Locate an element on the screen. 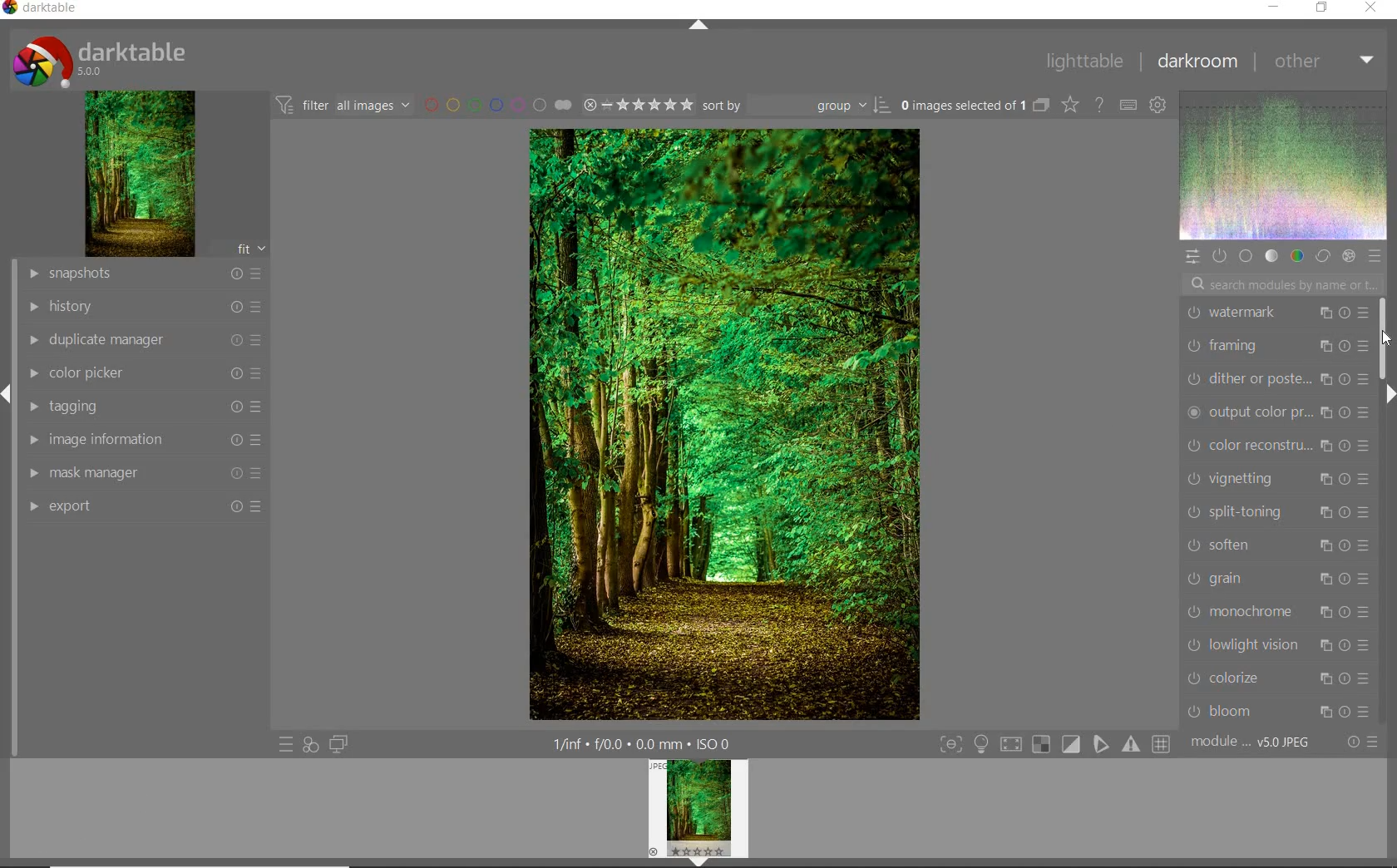 The image size is (1397, 868). EFFORT is located at coordinates (146, 508).